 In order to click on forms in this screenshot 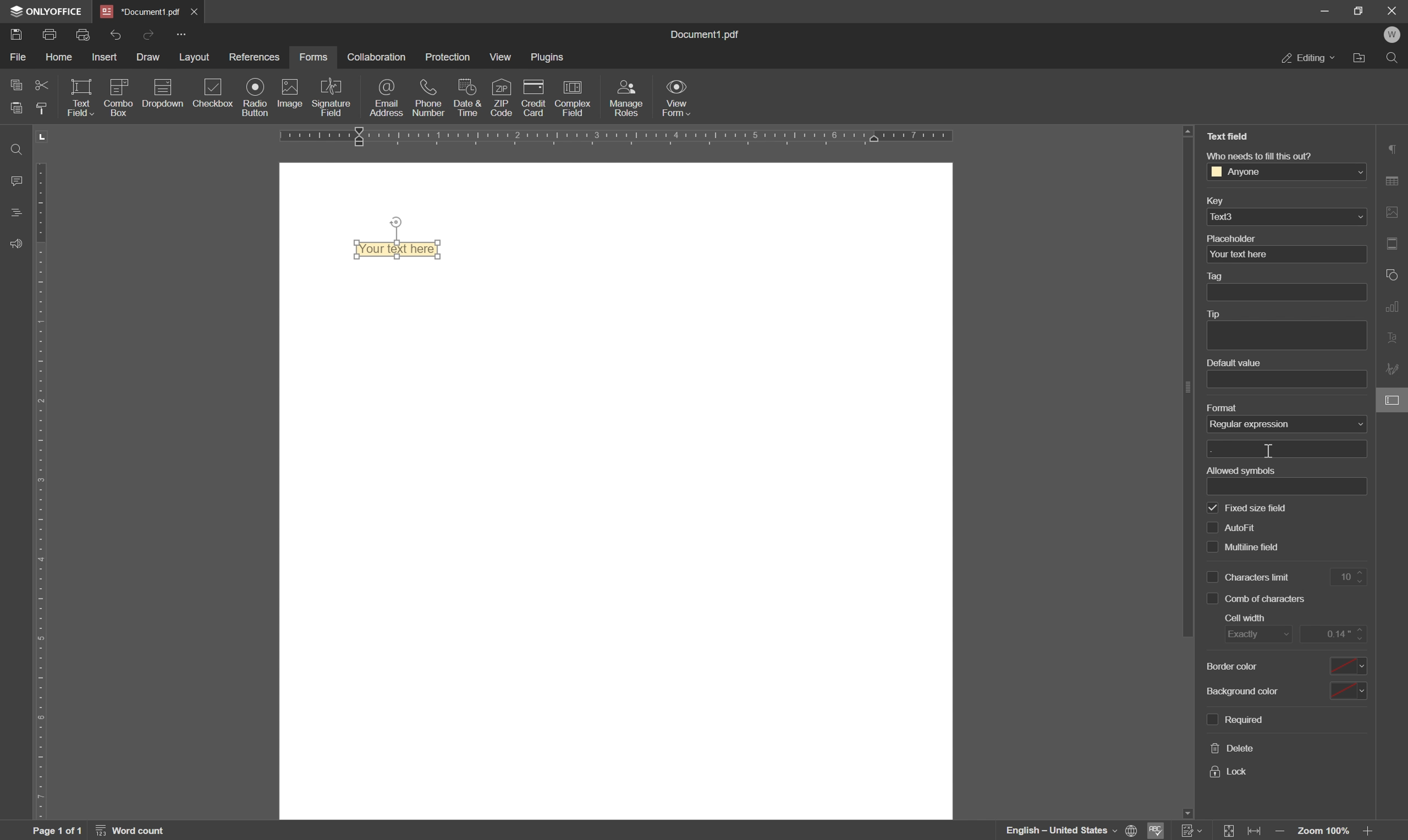, I will do `click(314, 57)`.